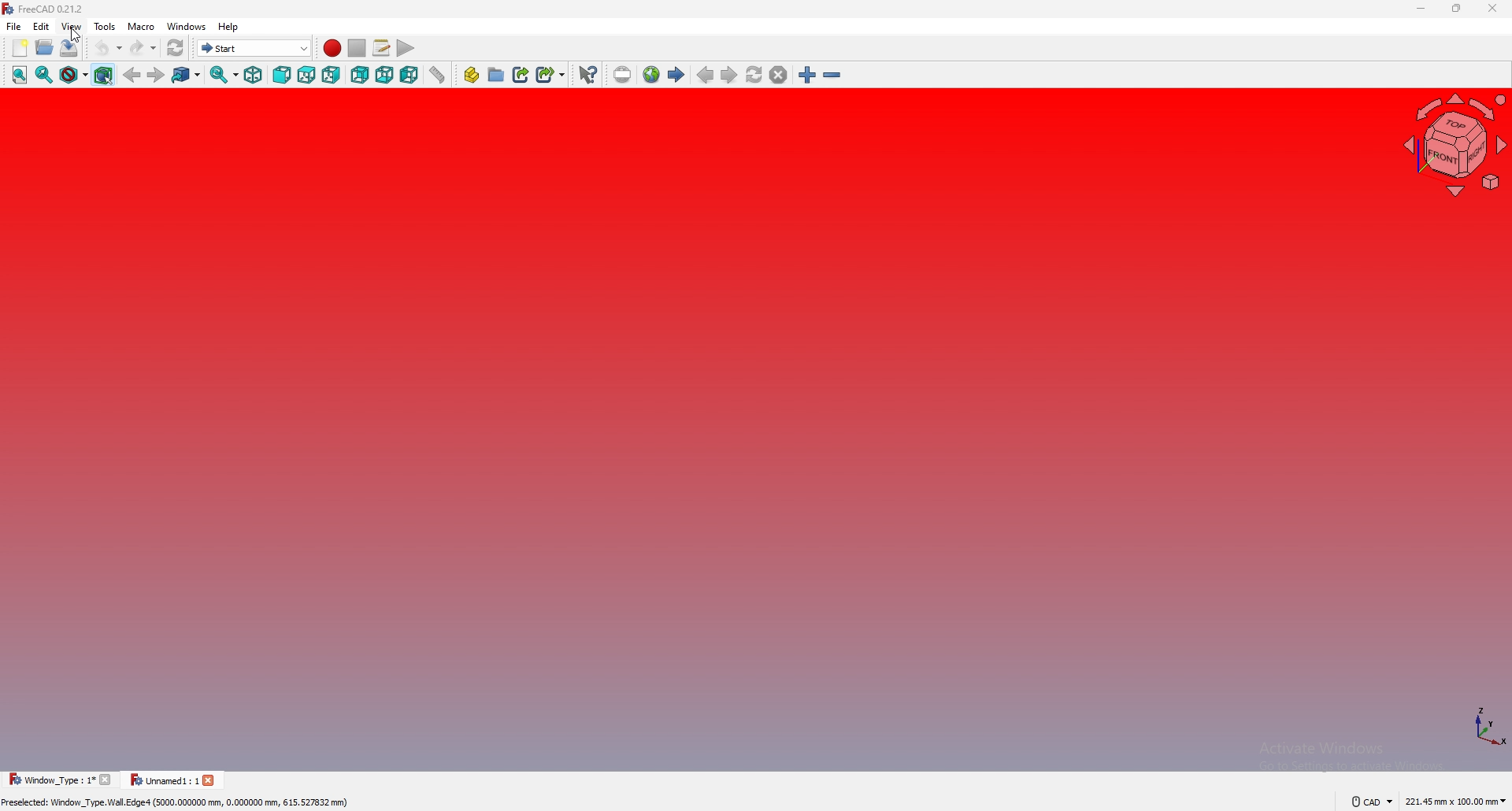 This screenshot has width=1512, height=811. I want to click on 221.45 mm x 100.00 mm, so click(1457, 799).